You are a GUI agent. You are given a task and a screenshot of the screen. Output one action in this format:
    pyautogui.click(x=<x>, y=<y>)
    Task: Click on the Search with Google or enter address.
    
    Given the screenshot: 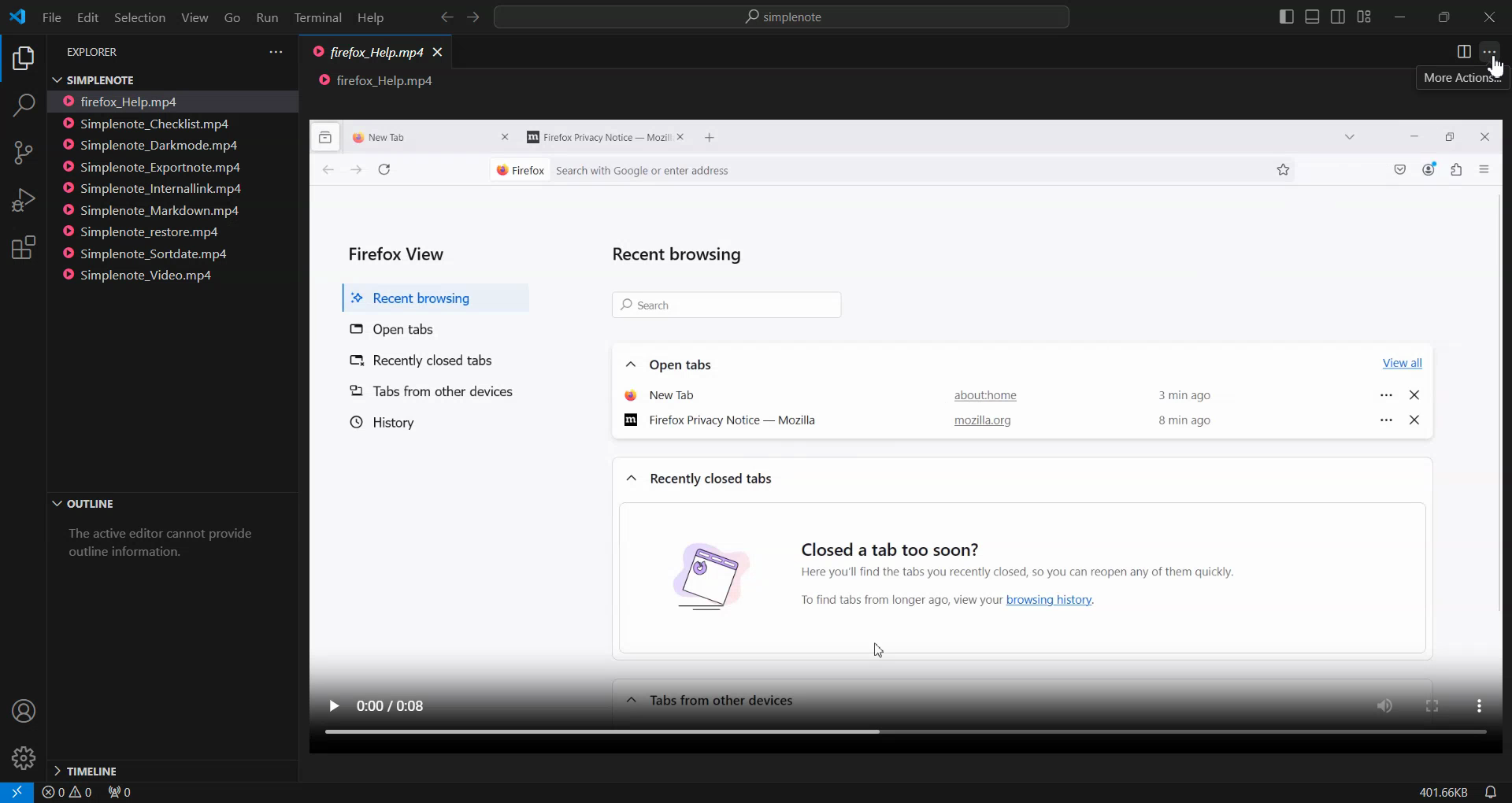 What is the action you would take?
    pyautogui.click(x=758, y=171)
    